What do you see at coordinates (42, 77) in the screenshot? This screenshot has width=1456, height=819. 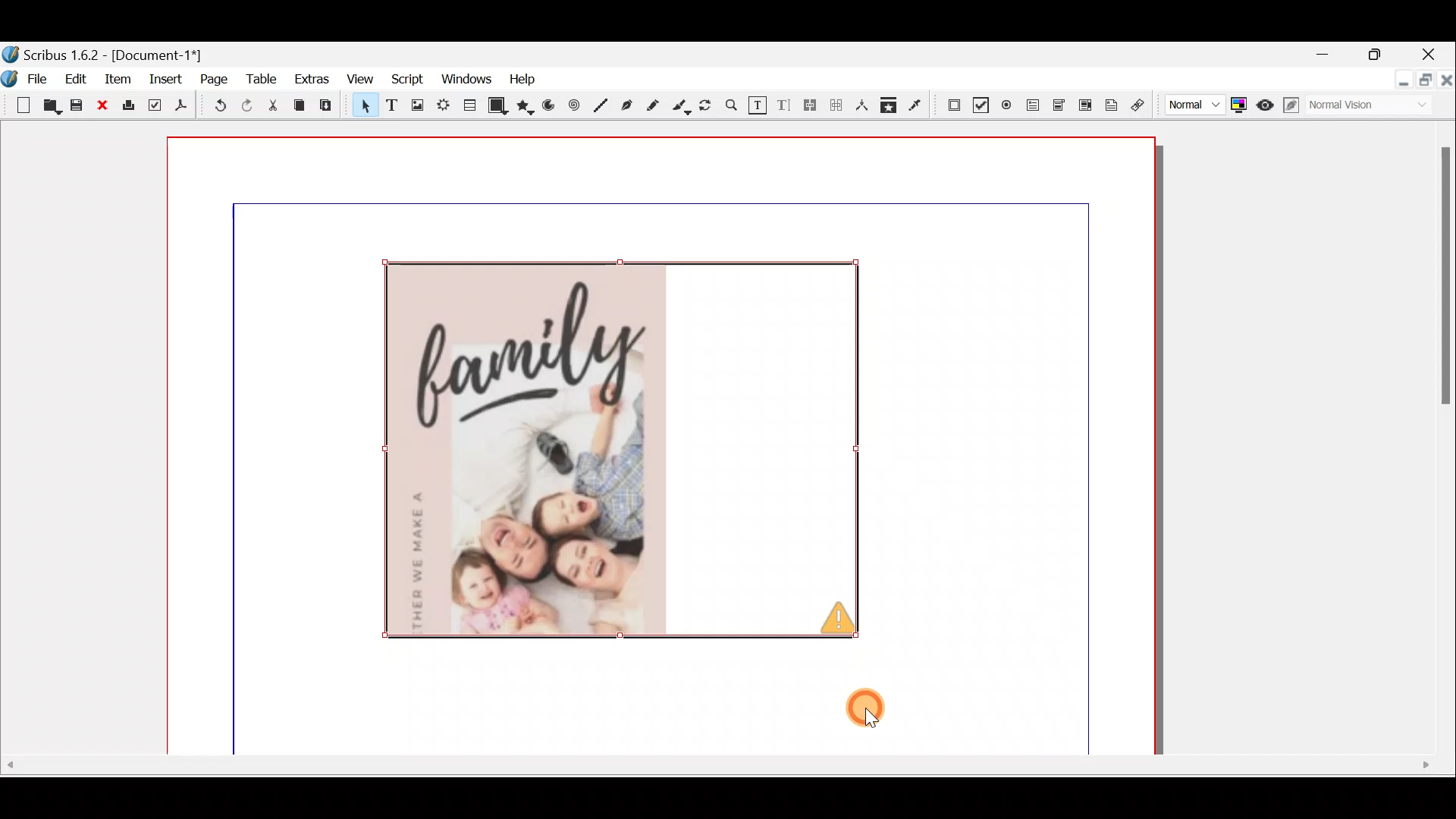 I see `File` at bounding box center [42, 77].